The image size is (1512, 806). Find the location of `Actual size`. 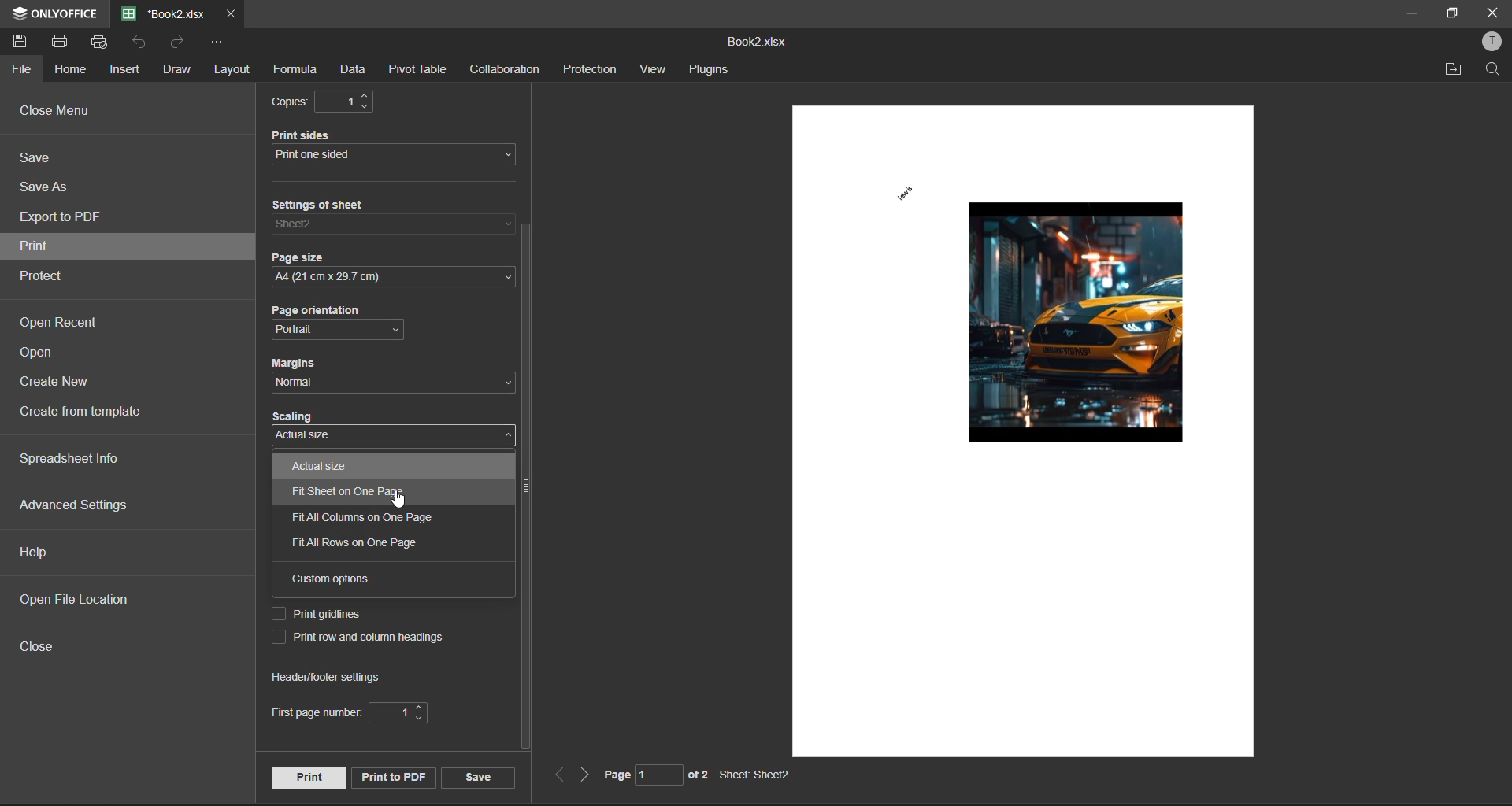

Actual size is located at coordinates (302, 436).